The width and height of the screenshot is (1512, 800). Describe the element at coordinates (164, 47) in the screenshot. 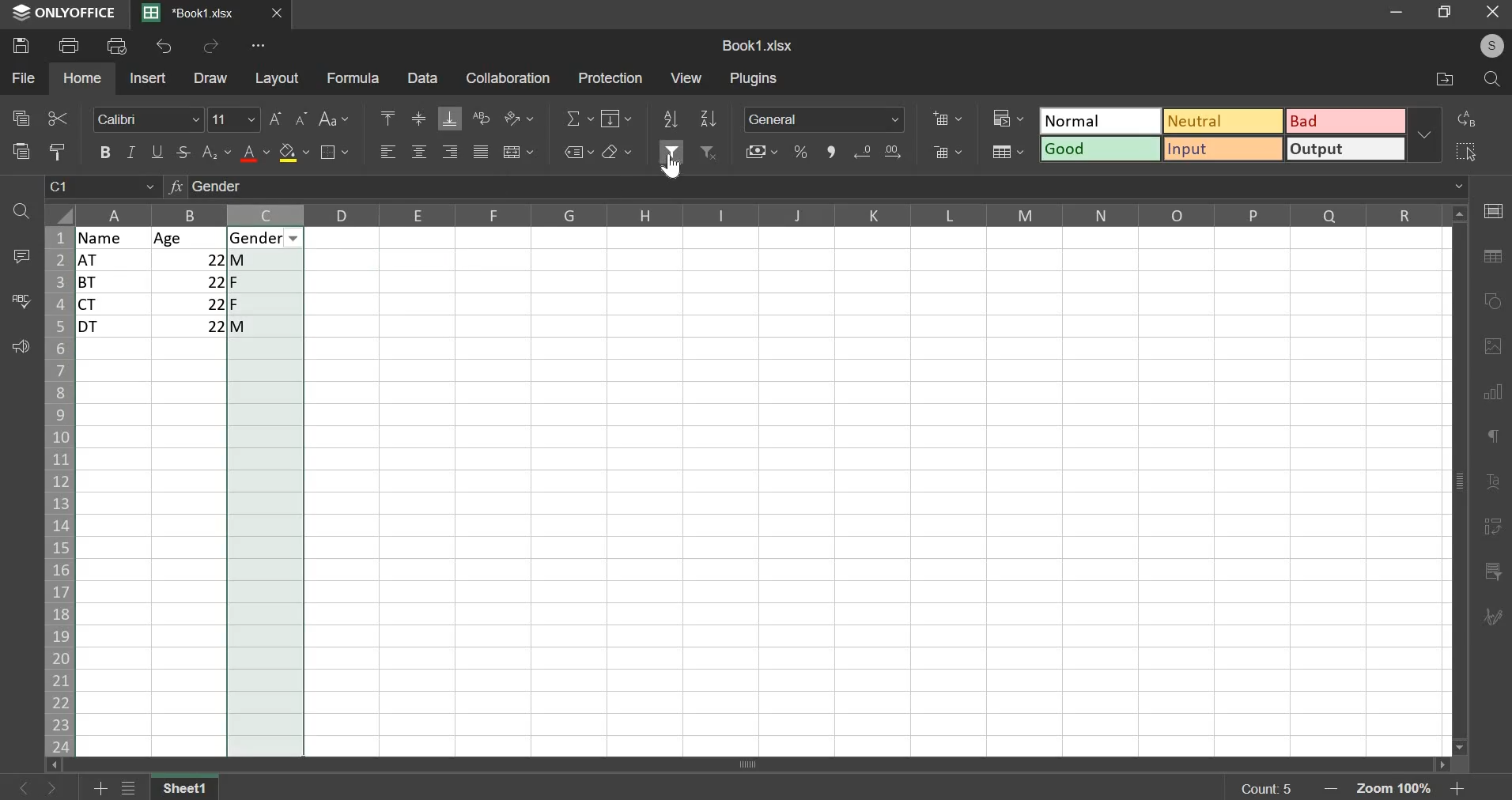

I see `undo` at that location.